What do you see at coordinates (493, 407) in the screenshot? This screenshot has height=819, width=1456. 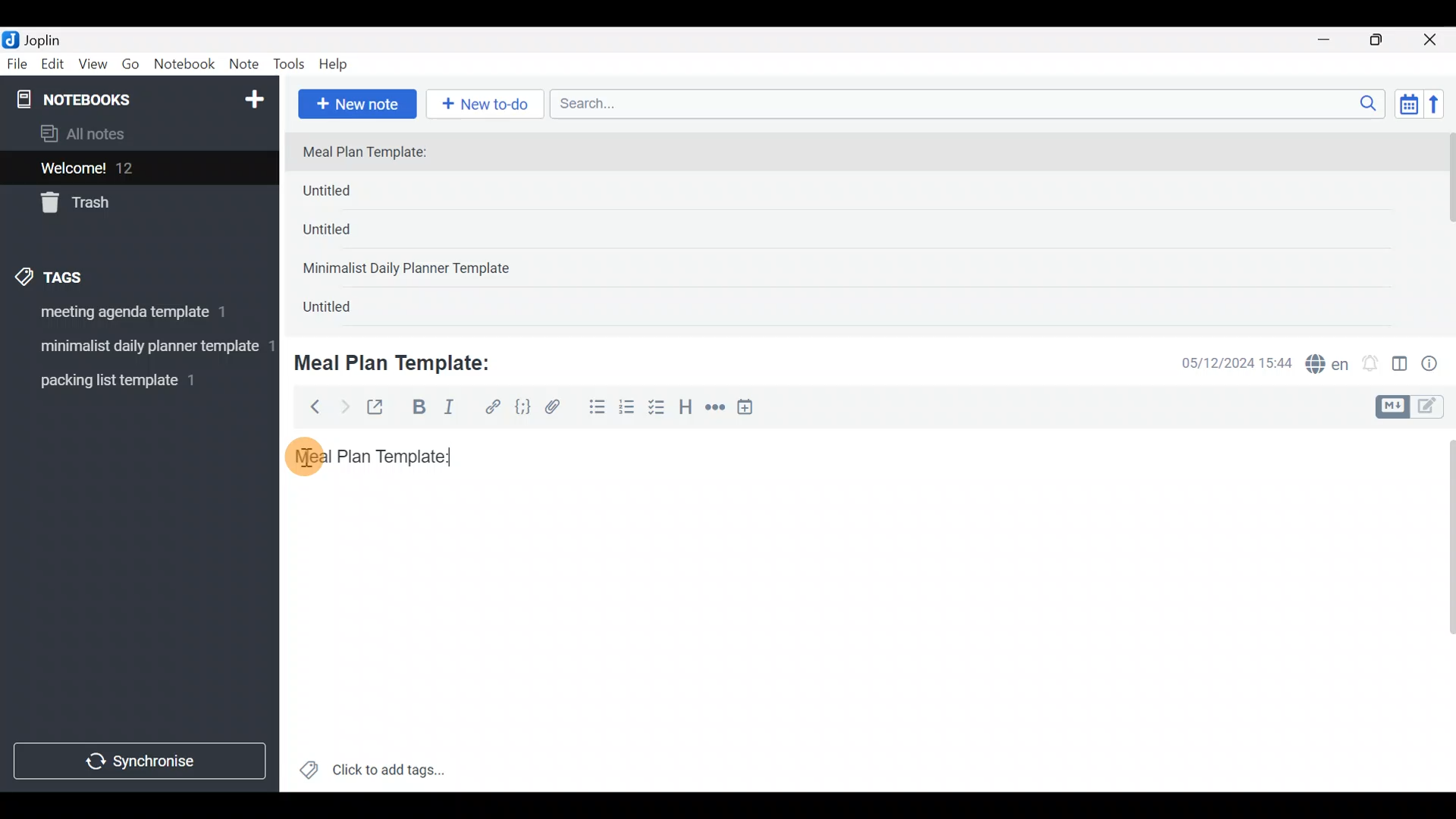 I see `Hyperlink` at bounding box center [493, 407].